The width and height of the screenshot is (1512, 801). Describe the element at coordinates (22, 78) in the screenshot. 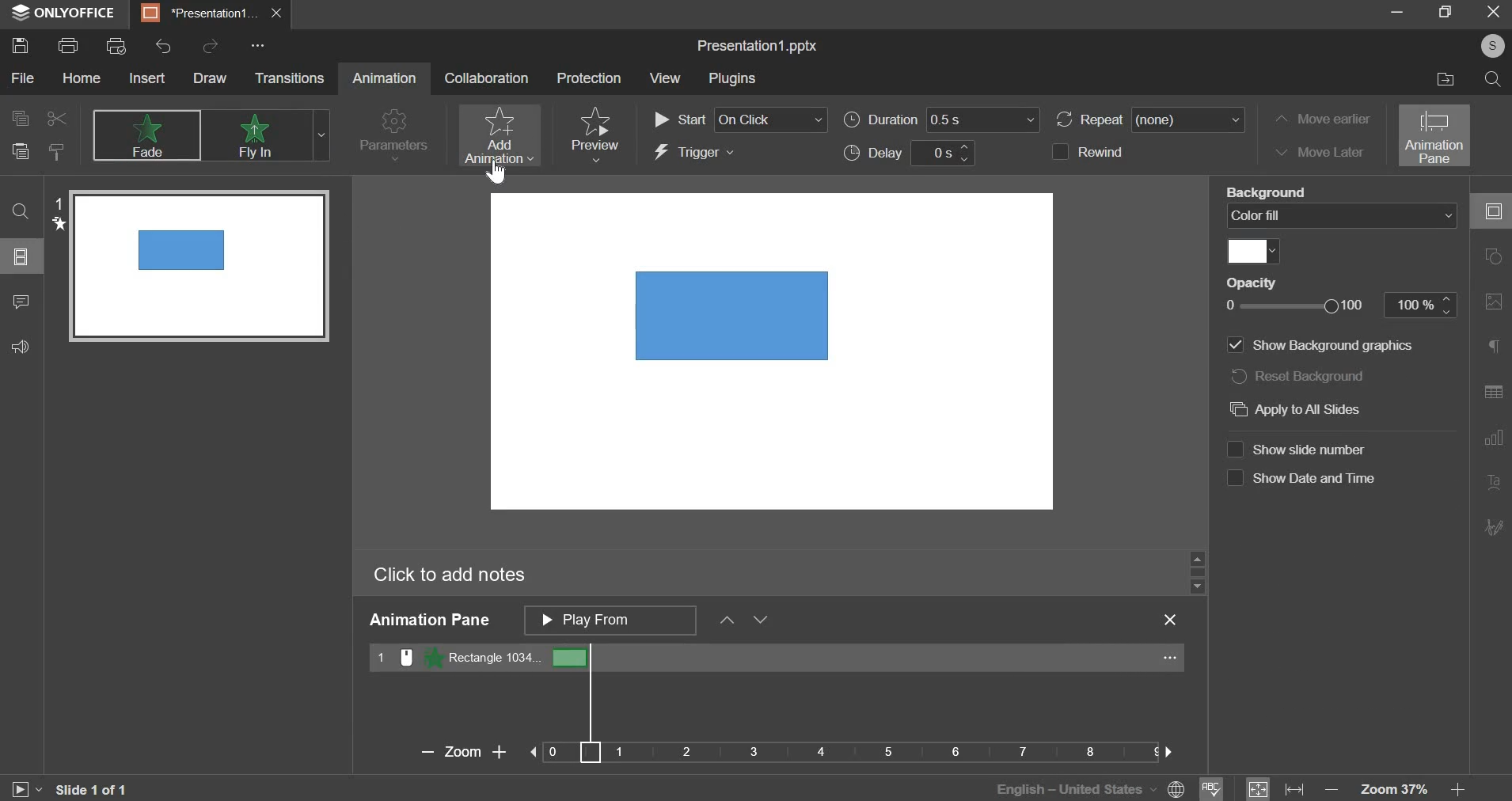

I see `file` at that location.